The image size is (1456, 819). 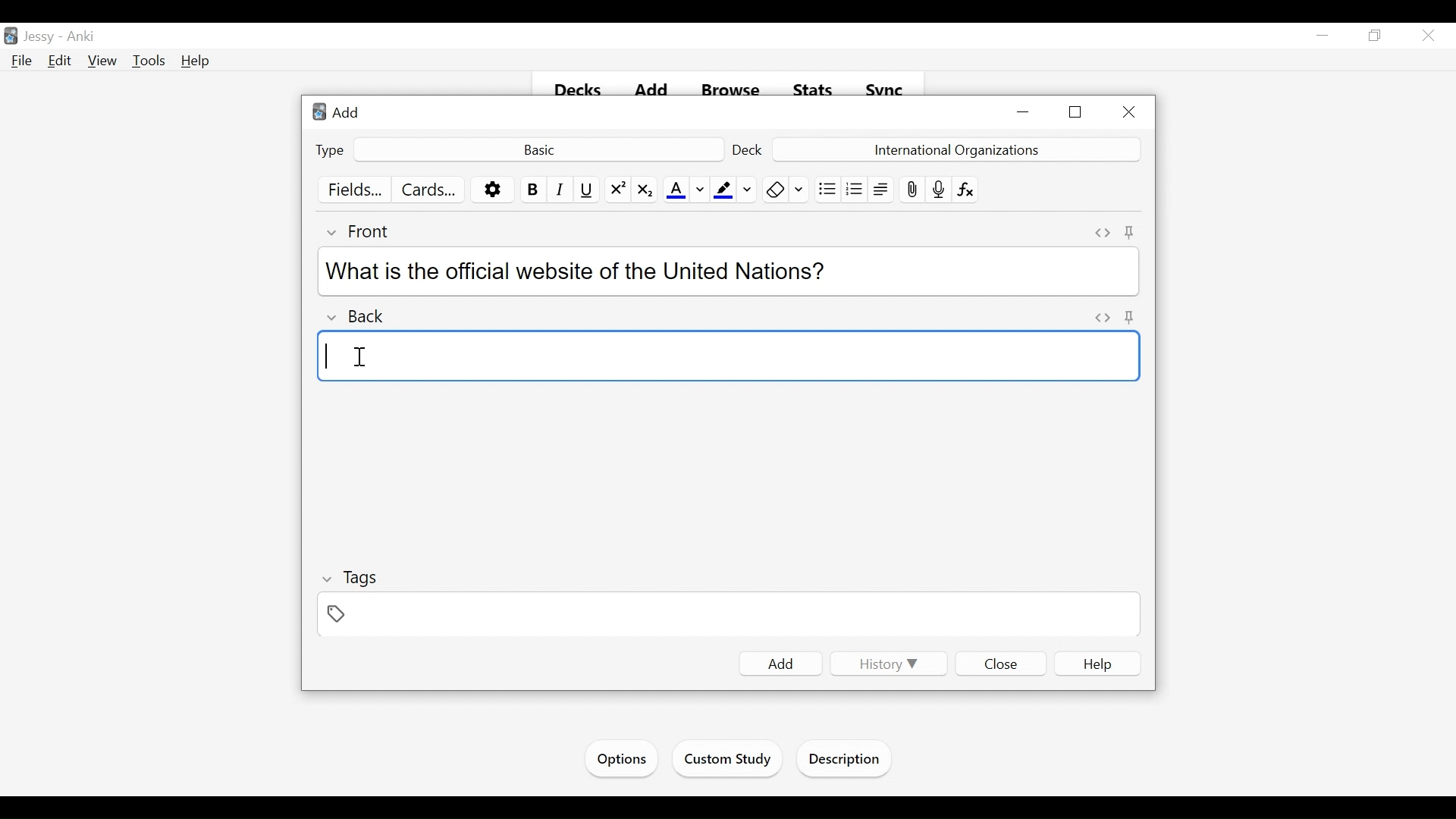 I want to click on File, so click(x=22, y=61).